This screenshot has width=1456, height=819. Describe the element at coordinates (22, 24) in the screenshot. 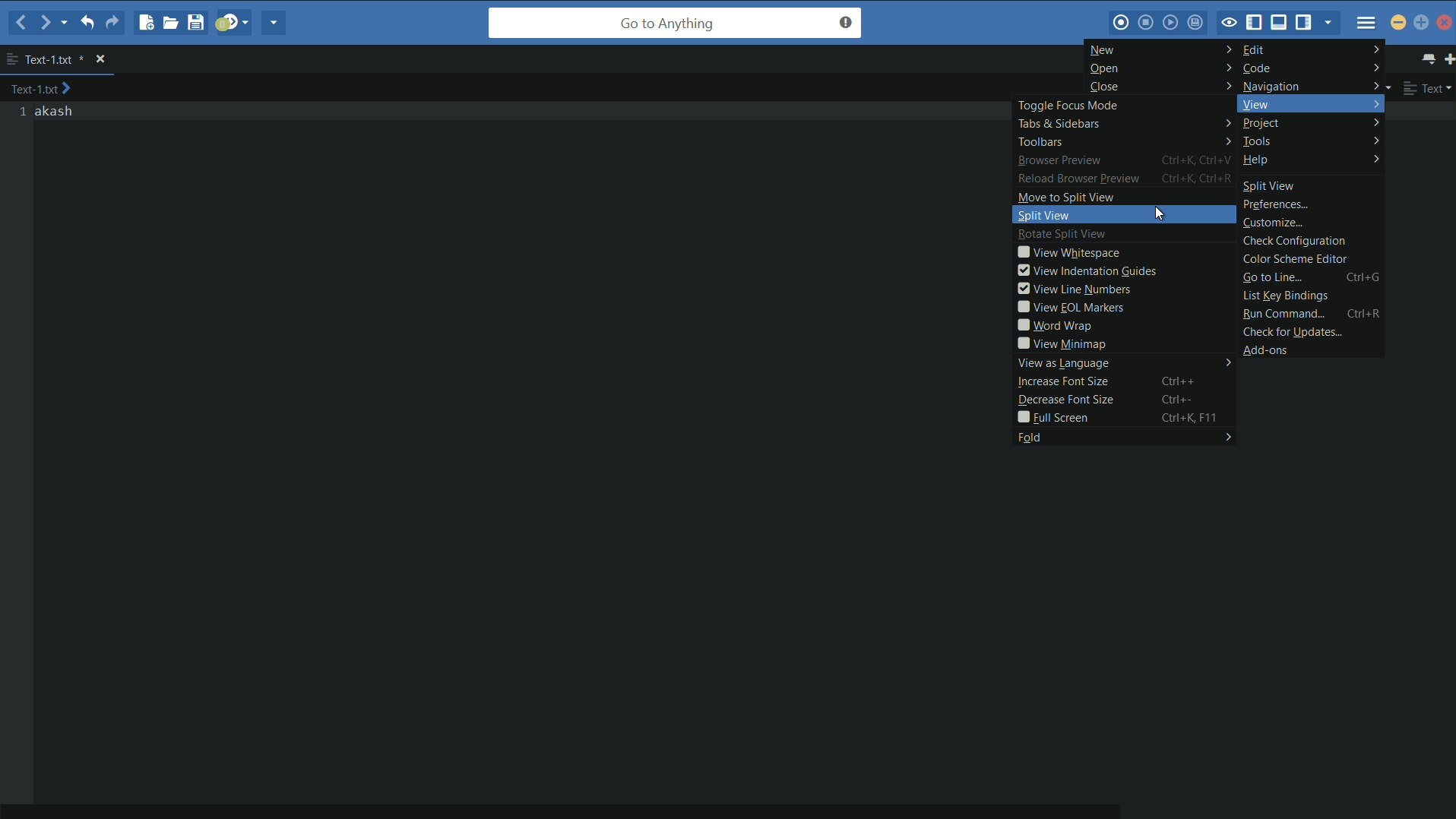

I see `back` at that location.